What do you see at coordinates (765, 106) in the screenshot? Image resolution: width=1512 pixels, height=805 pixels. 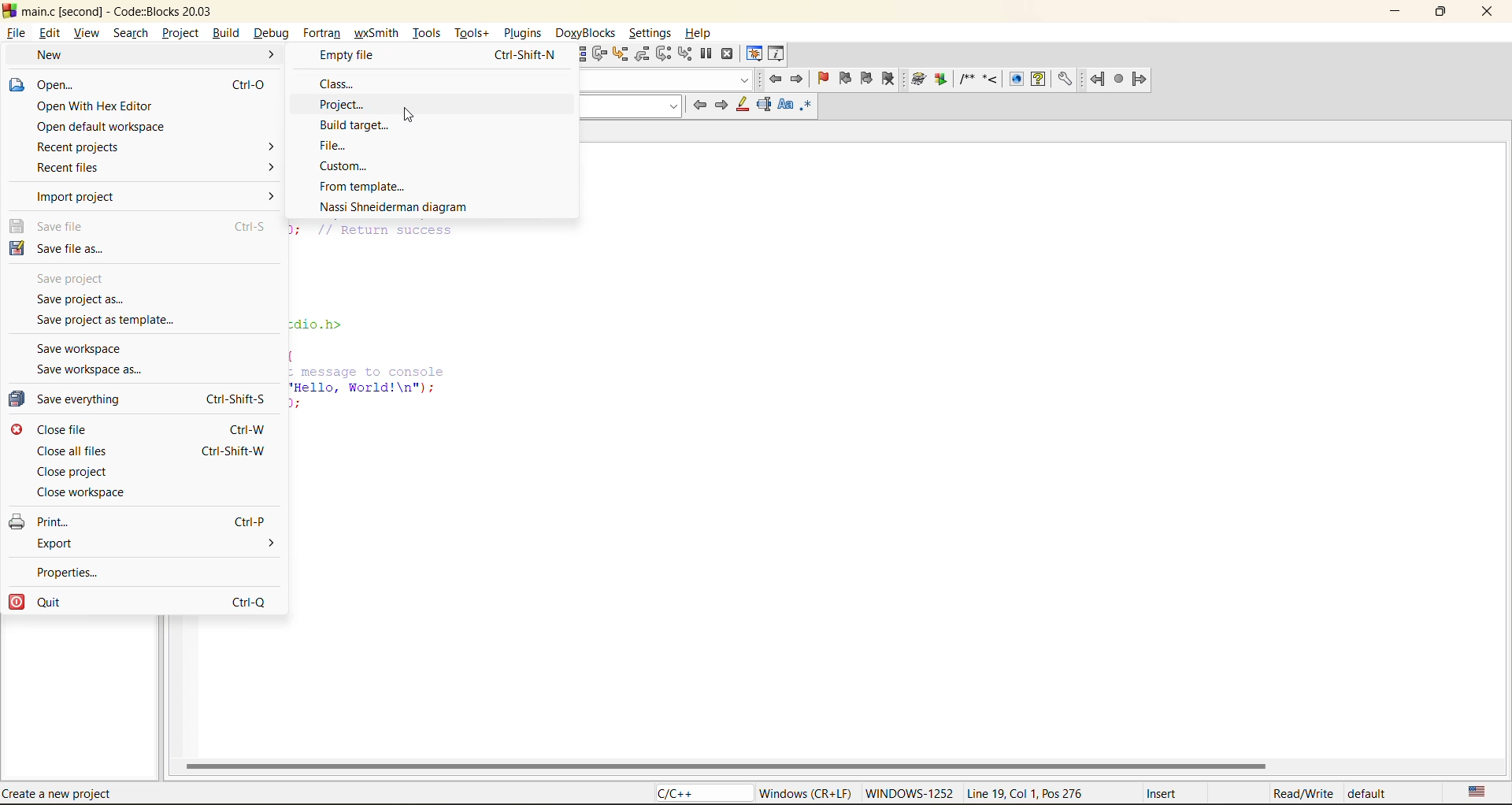 I see `selected text` at bounding box center [765, 106].